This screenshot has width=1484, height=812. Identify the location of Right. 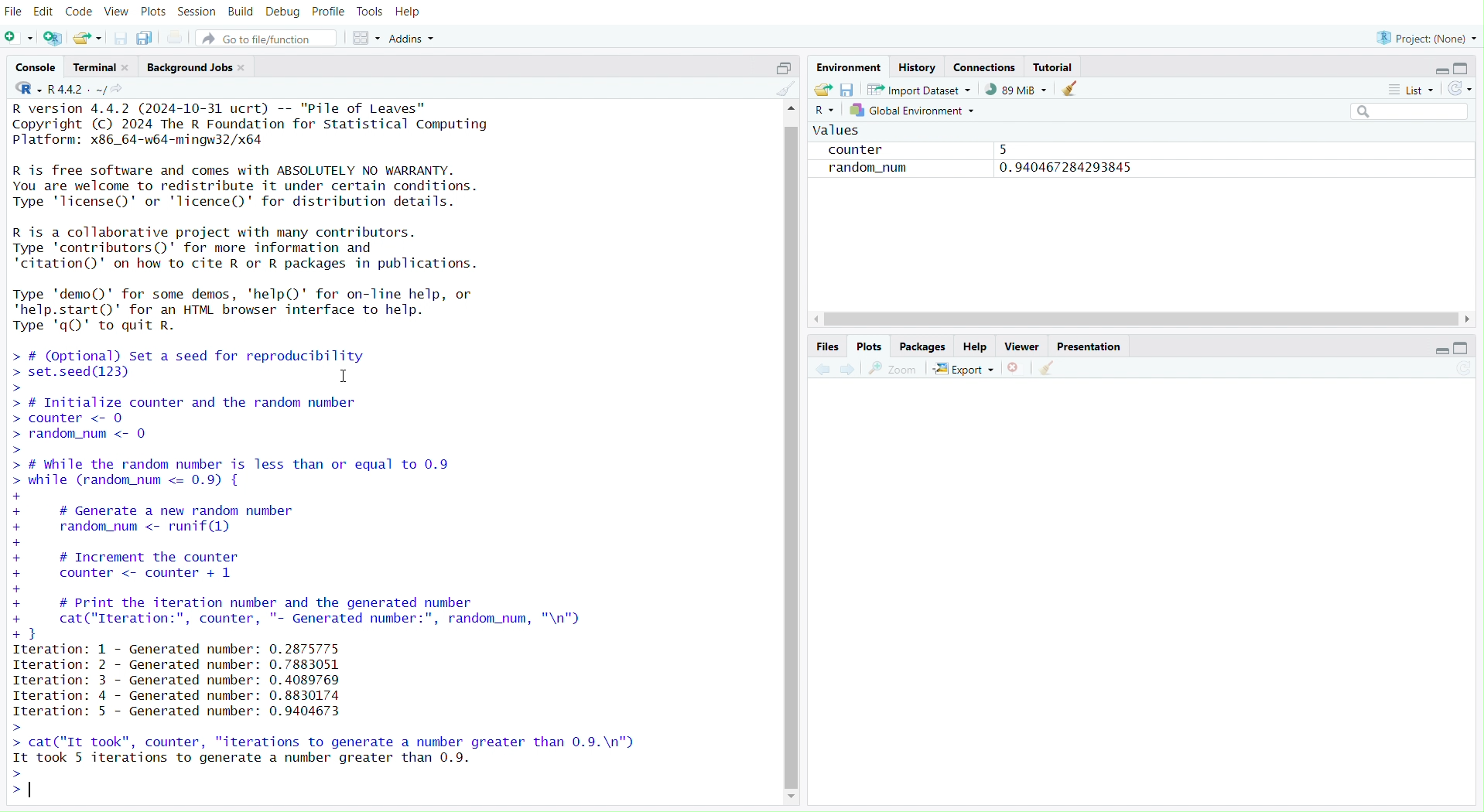
(1469, 314).